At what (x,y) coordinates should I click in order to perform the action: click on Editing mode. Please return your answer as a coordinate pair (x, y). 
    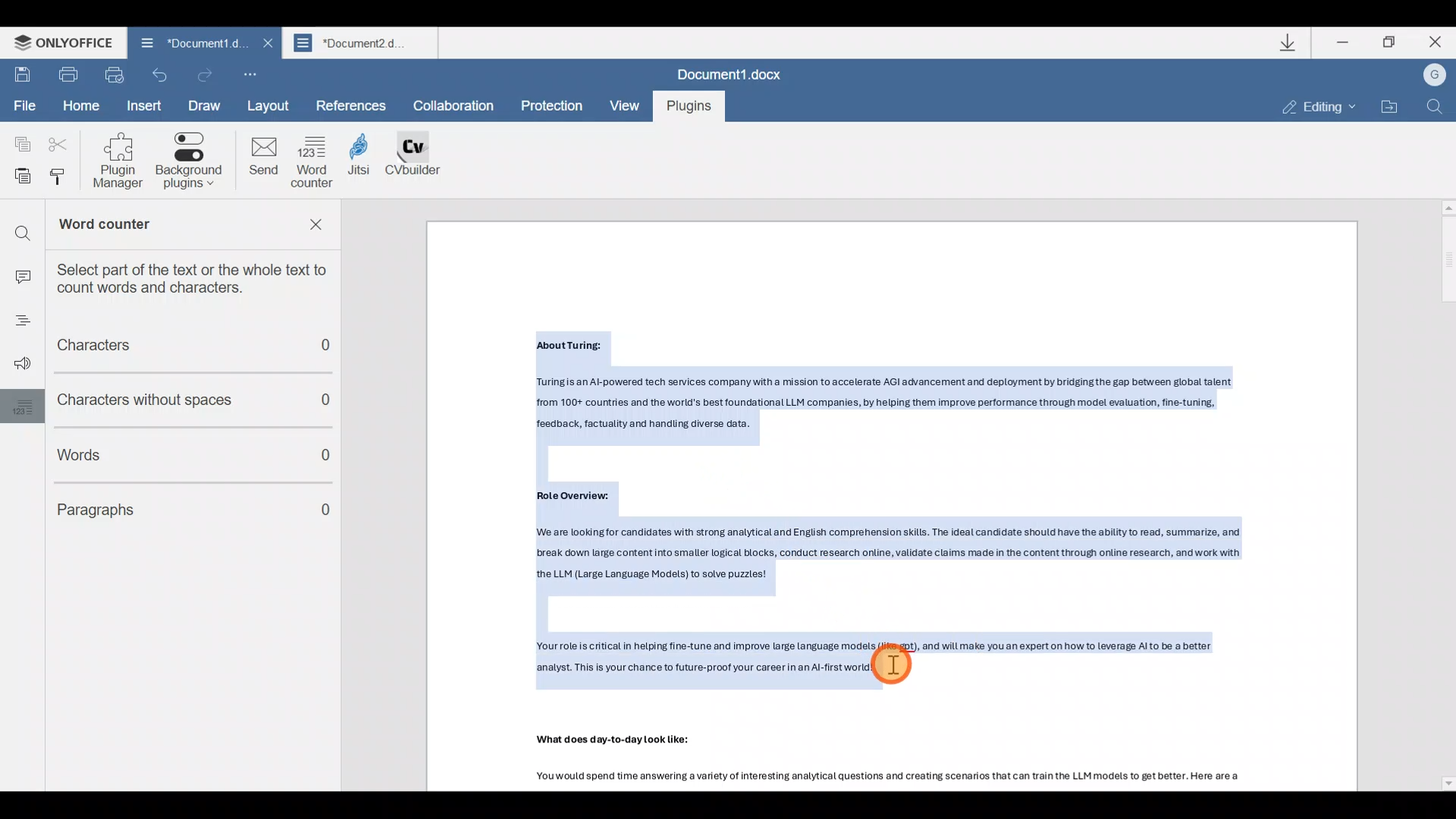
    Looking at the image, I should click on (1309, 107).